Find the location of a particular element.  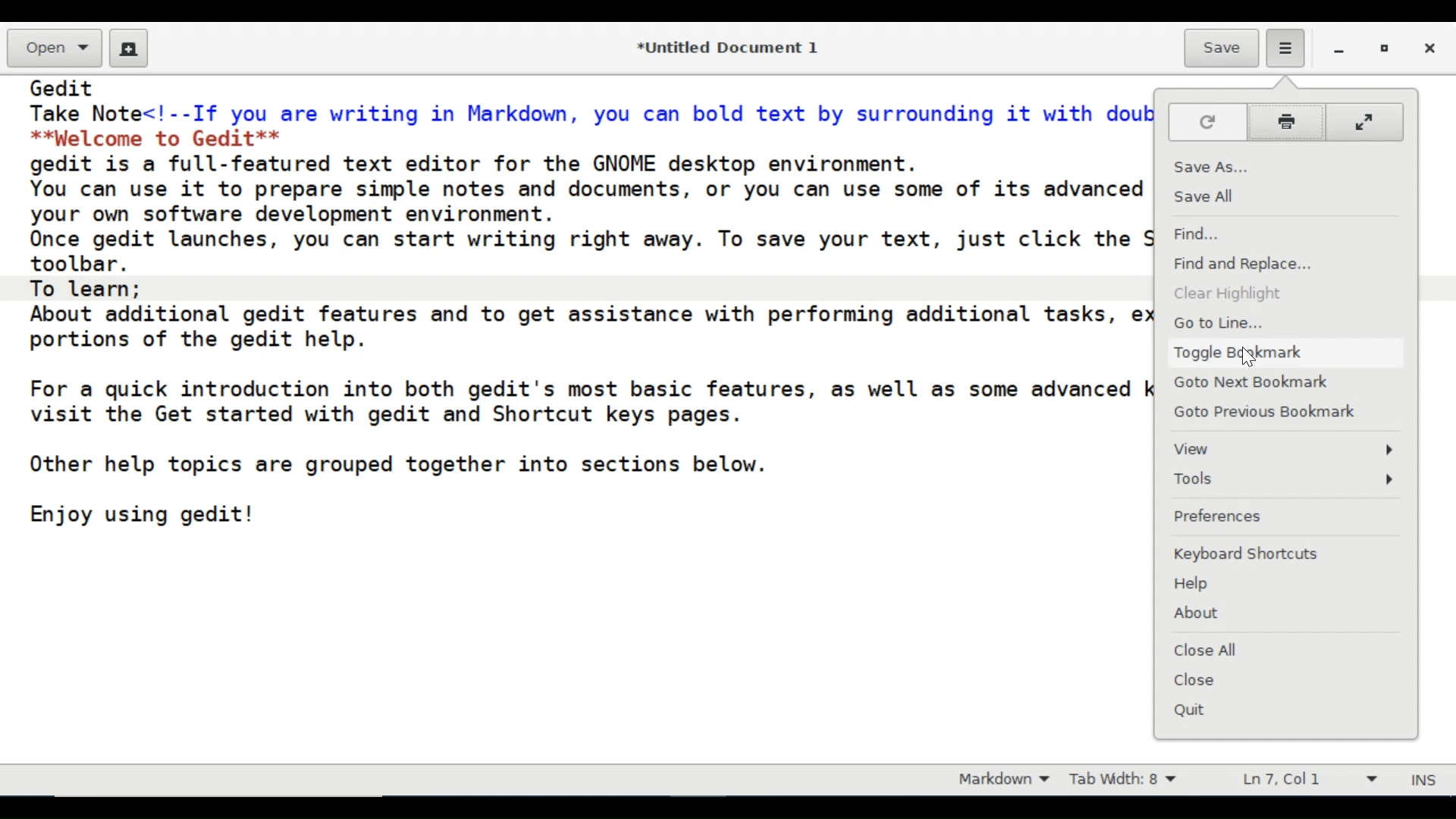

Reload is located at coordinates (1207, 121).